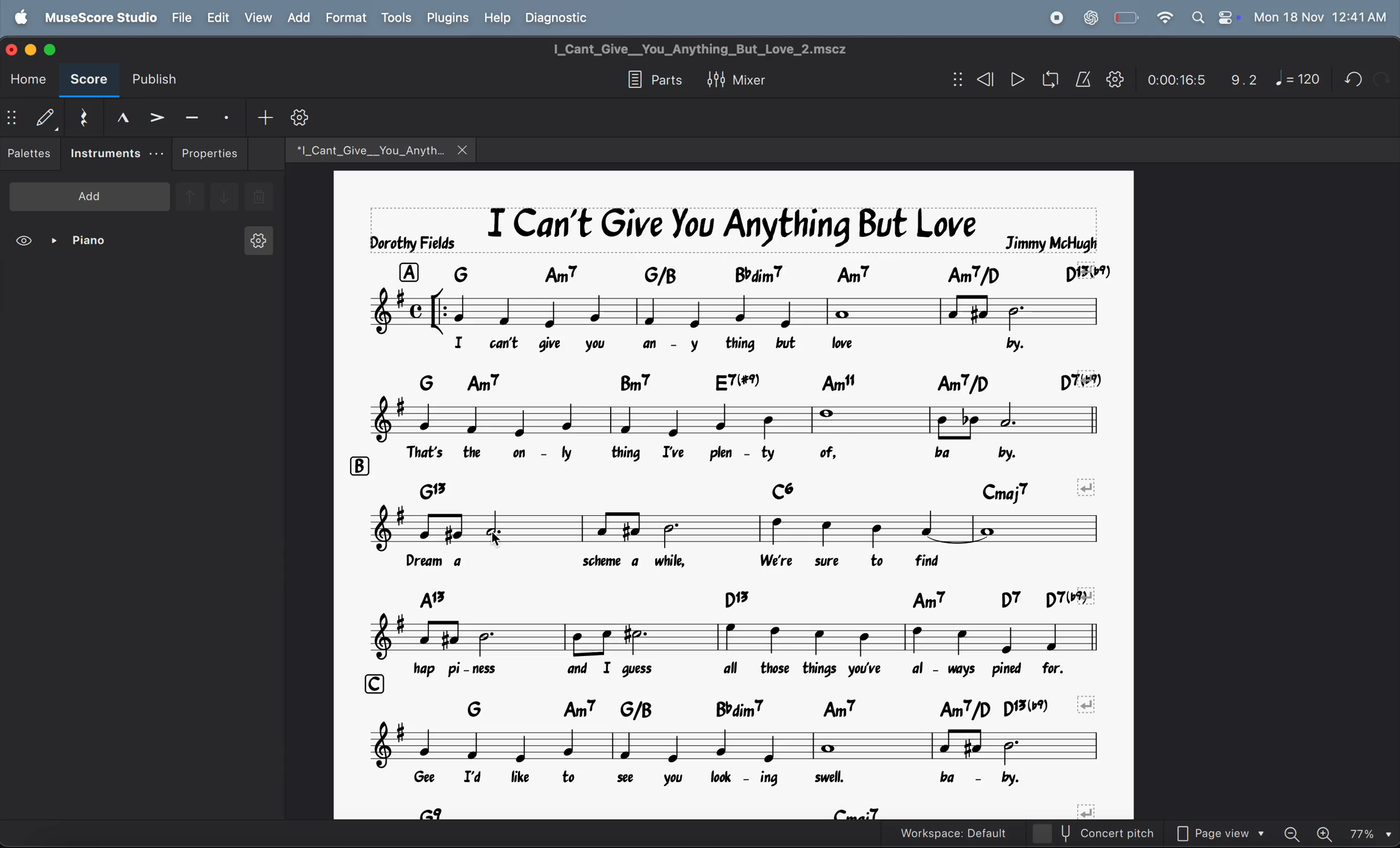 Image resolution: width=1400 pixels, height=848 pixels. Describe the element at coordinates (765, 598) in the screenshot. I see `chord symbols` at that location.